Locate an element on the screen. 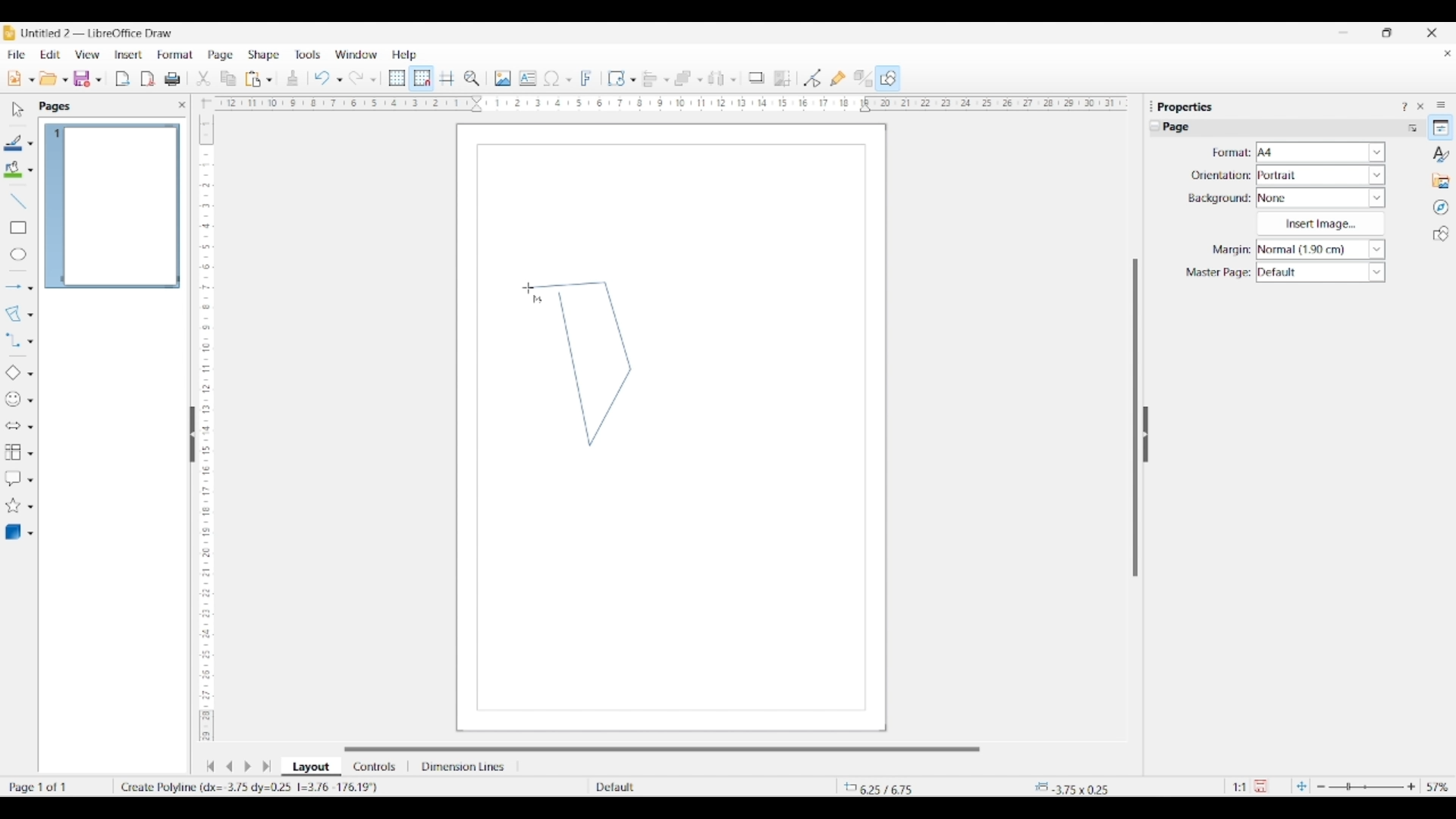 Image resolution: width=1456 pixels, height=819 pixels. Save options is located at coordinates (99, 80).